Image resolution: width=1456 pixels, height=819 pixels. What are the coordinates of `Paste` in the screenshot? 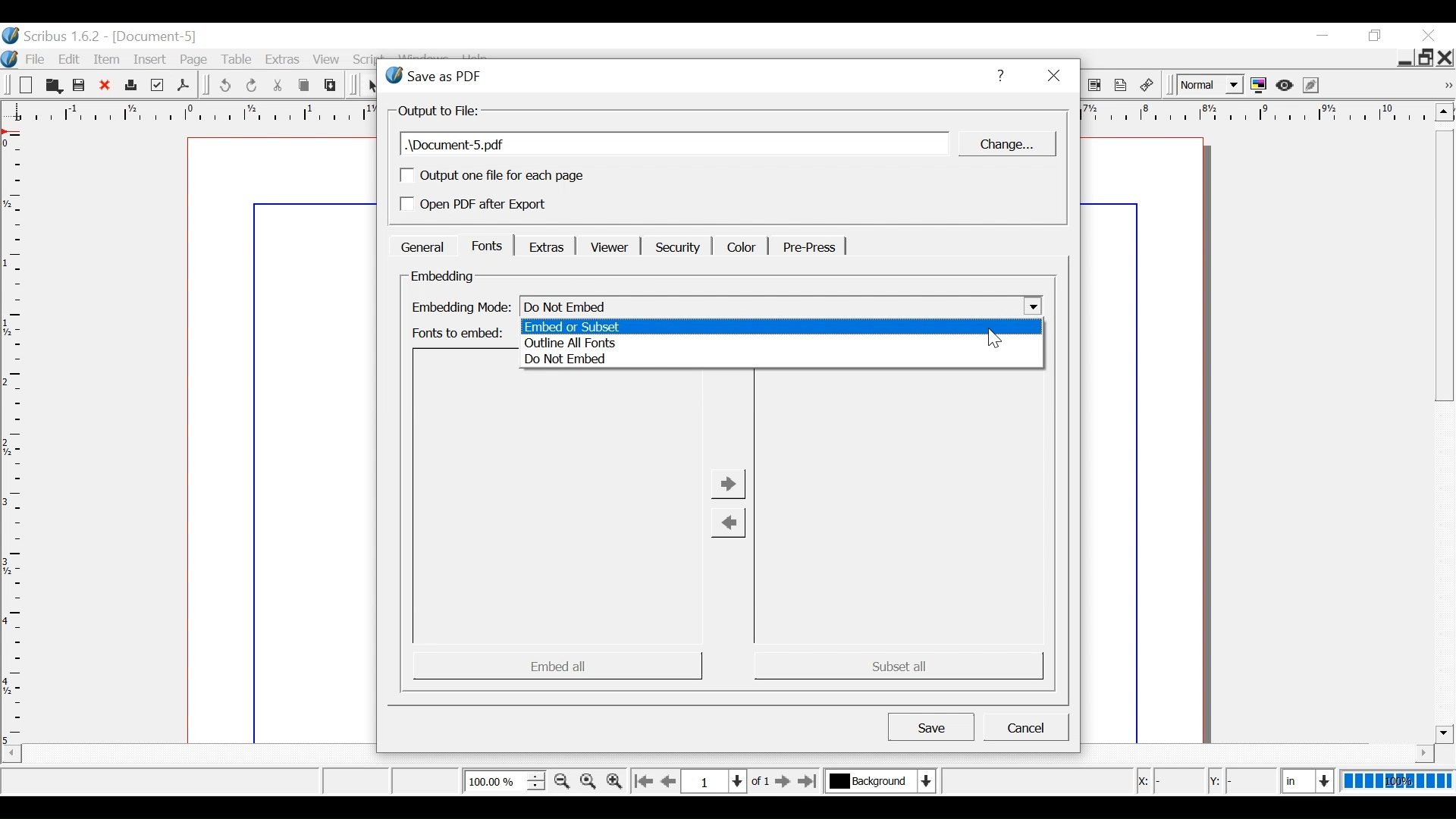 It's located at (331, 85).